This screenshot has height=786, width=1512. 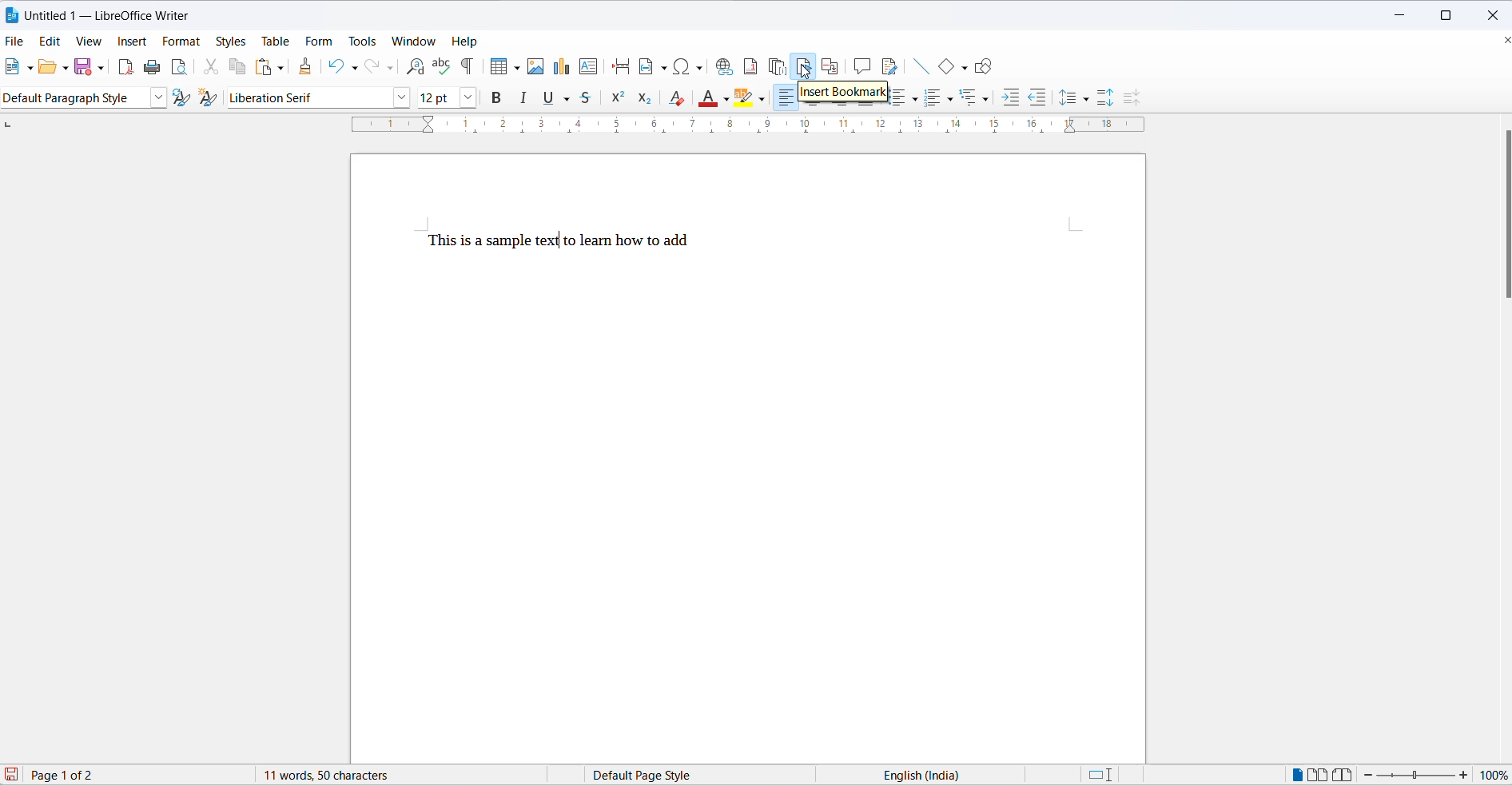 I want to click on edit, so click(x=50, y=41).